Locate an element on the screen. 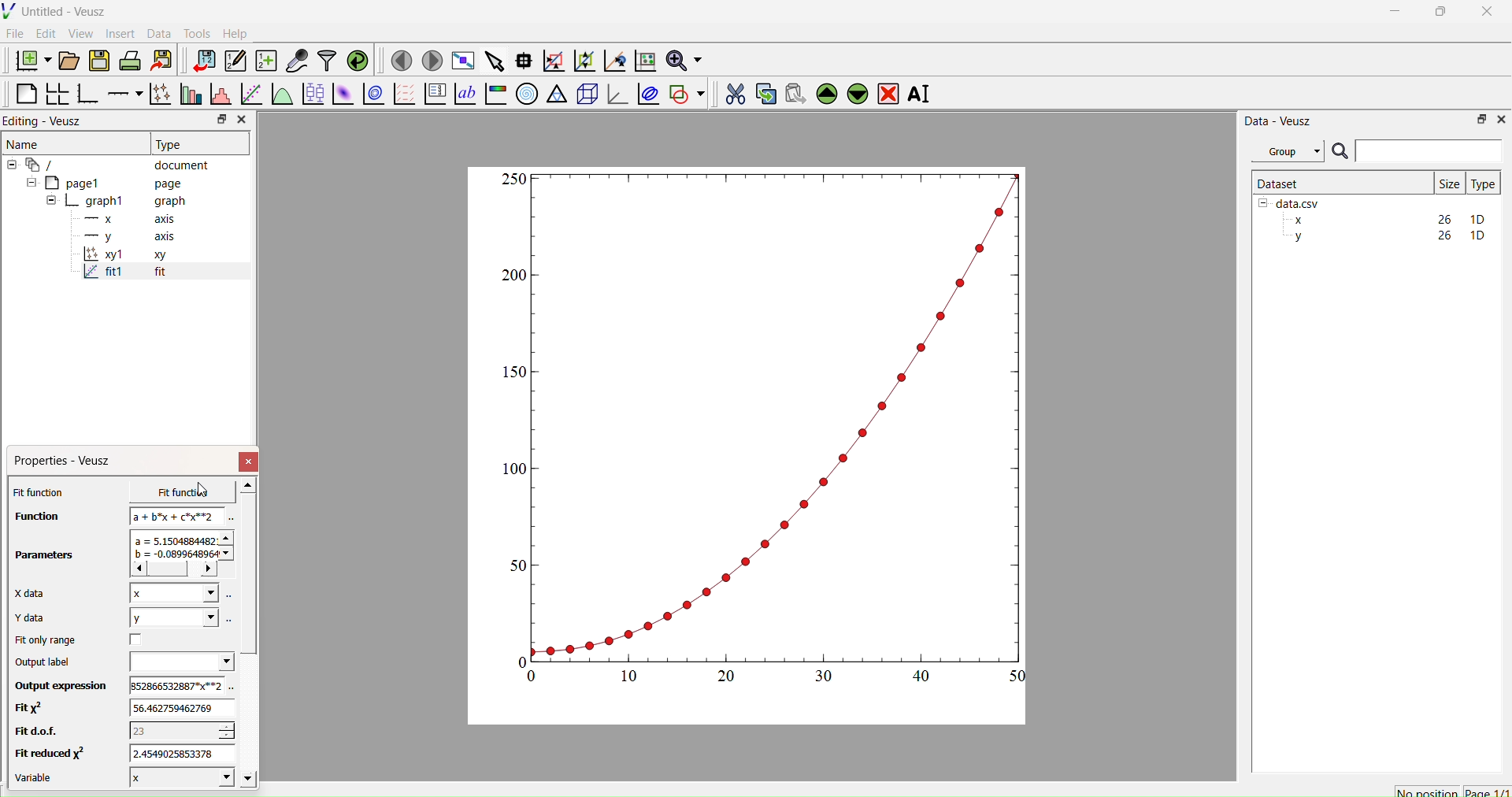  Function is located at coordinates (32, 516).